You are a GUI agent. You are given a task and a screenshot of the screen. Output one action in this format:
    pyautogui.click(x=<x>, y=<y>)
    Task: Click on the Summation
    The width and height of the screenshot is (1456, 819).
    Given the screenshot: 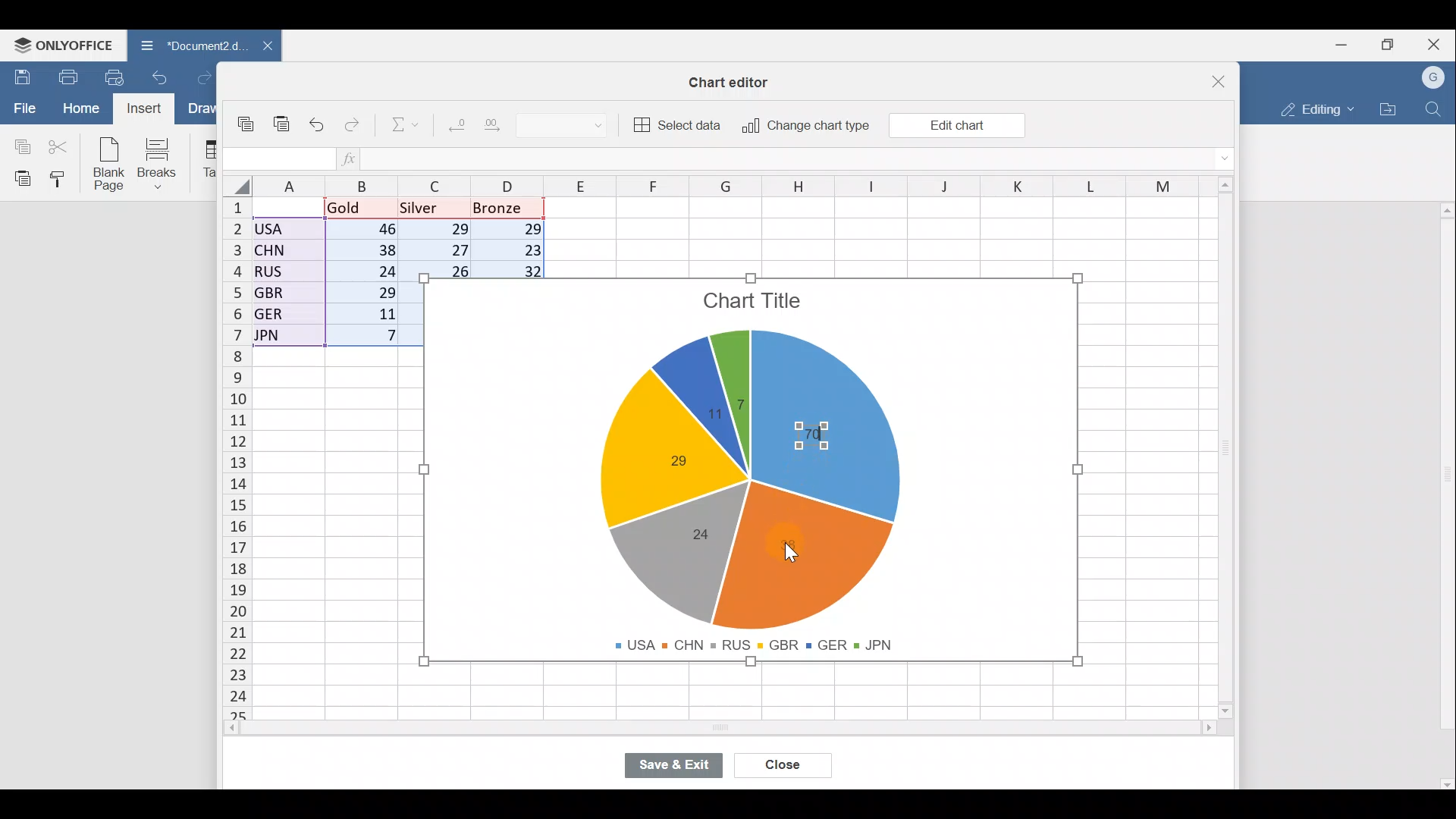 What is the action you would take?
    pyautogui.click(x=406, y=122)
    